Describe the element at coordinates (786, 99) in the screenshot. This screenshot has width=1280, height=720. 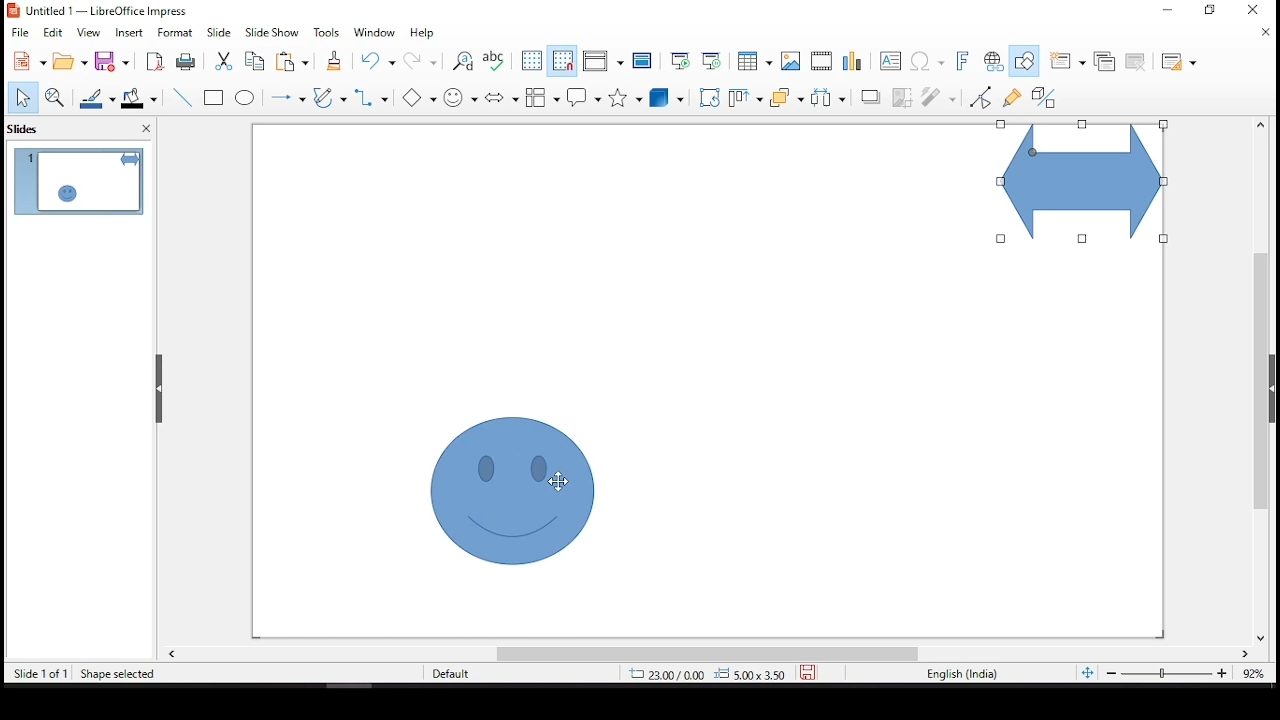
I see `arrange` at that location.